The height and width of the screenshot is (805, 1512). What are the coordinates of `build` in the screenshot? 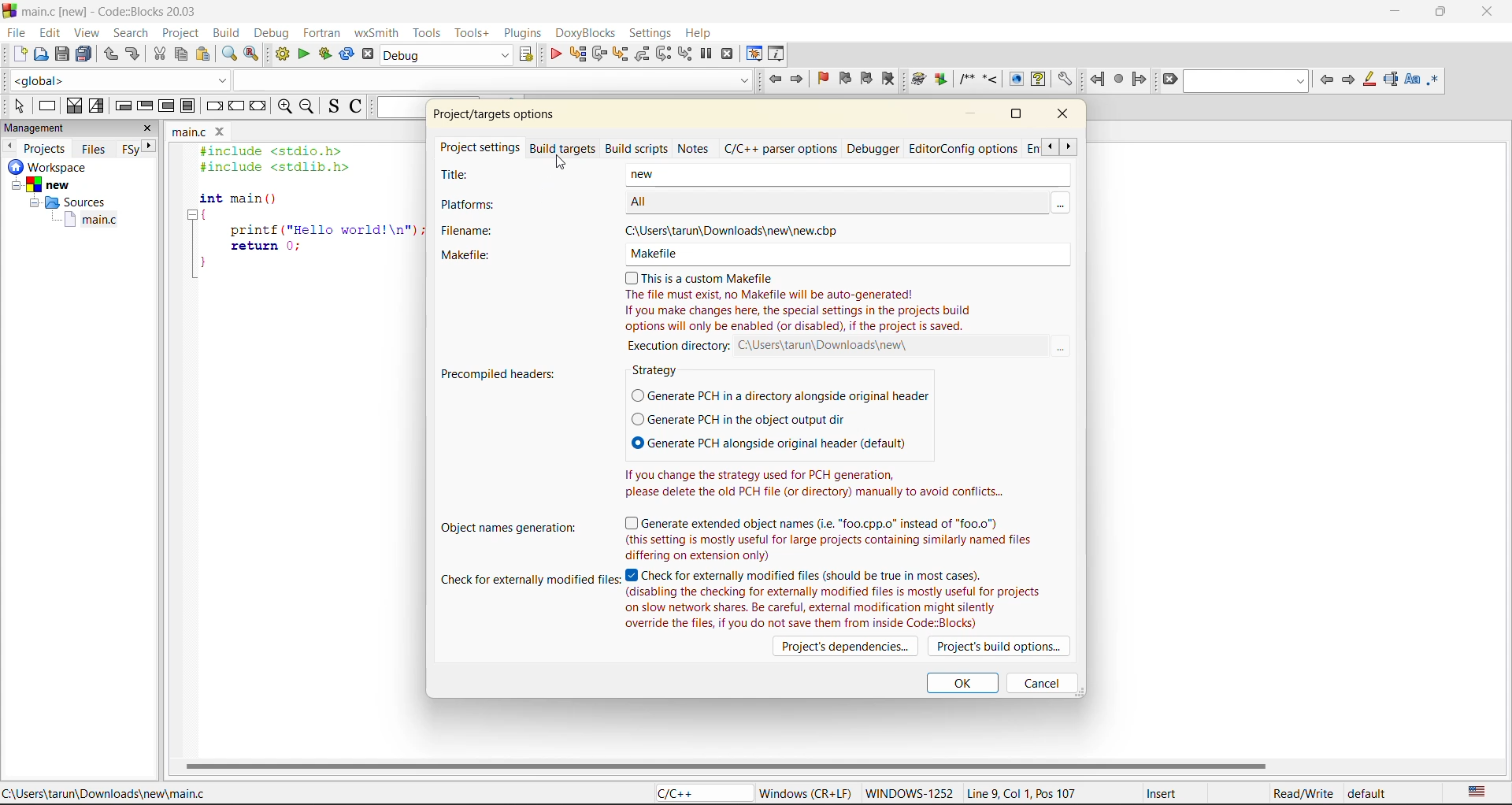 It's located at (282, 54).